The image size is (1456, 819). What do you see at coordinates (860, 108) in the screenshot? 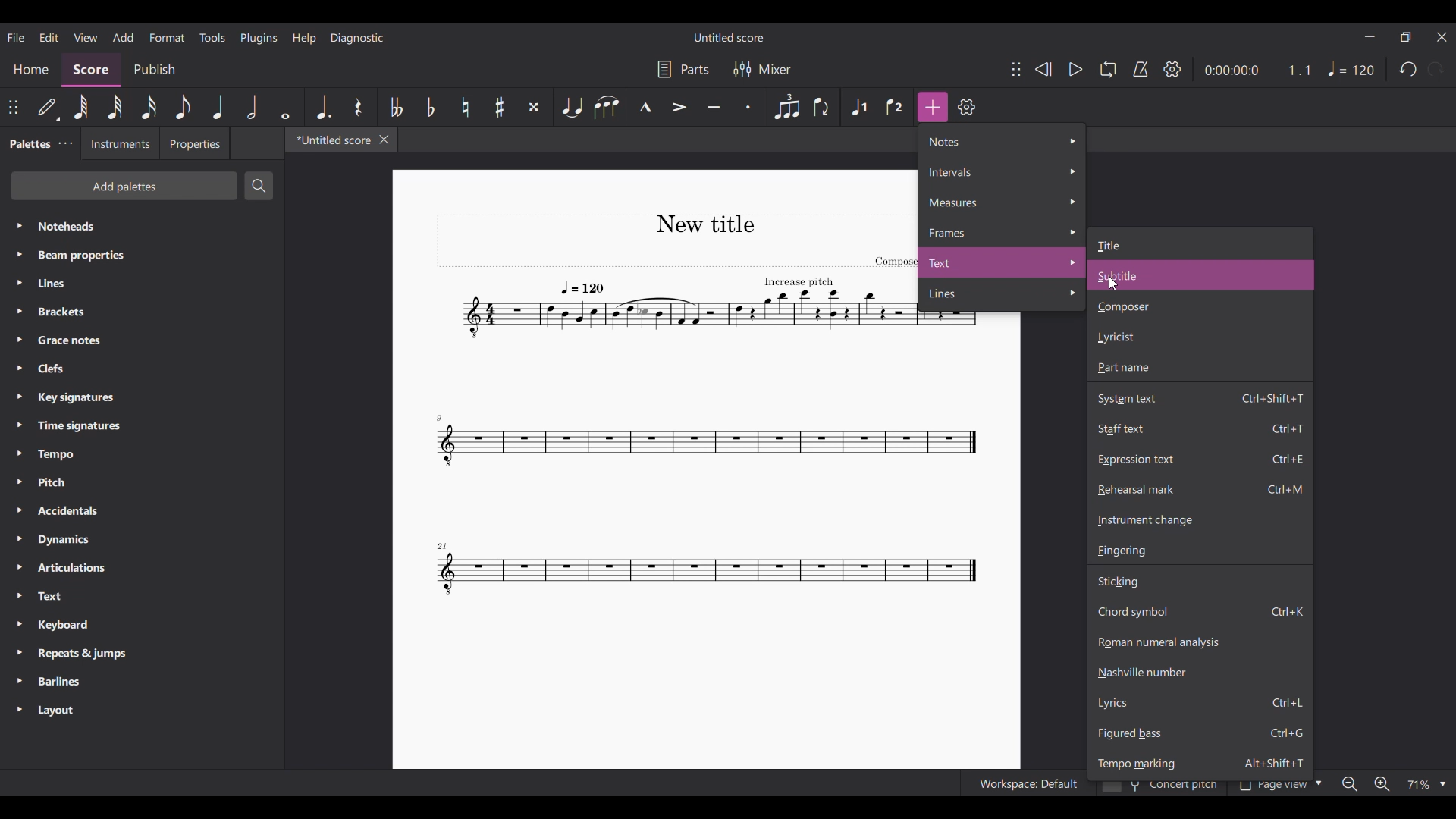
I see `Voice 1` at bounding box center [860, 108].